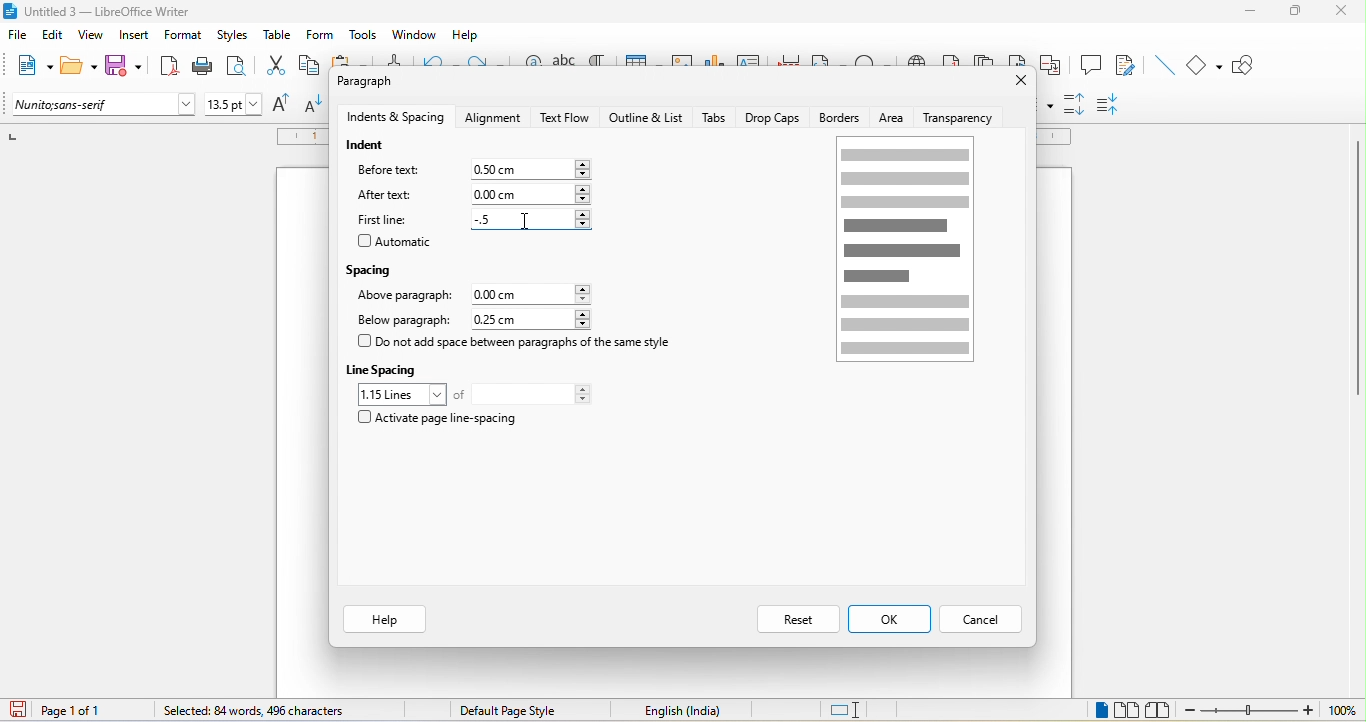  I want to click on open, so click(79, 67).